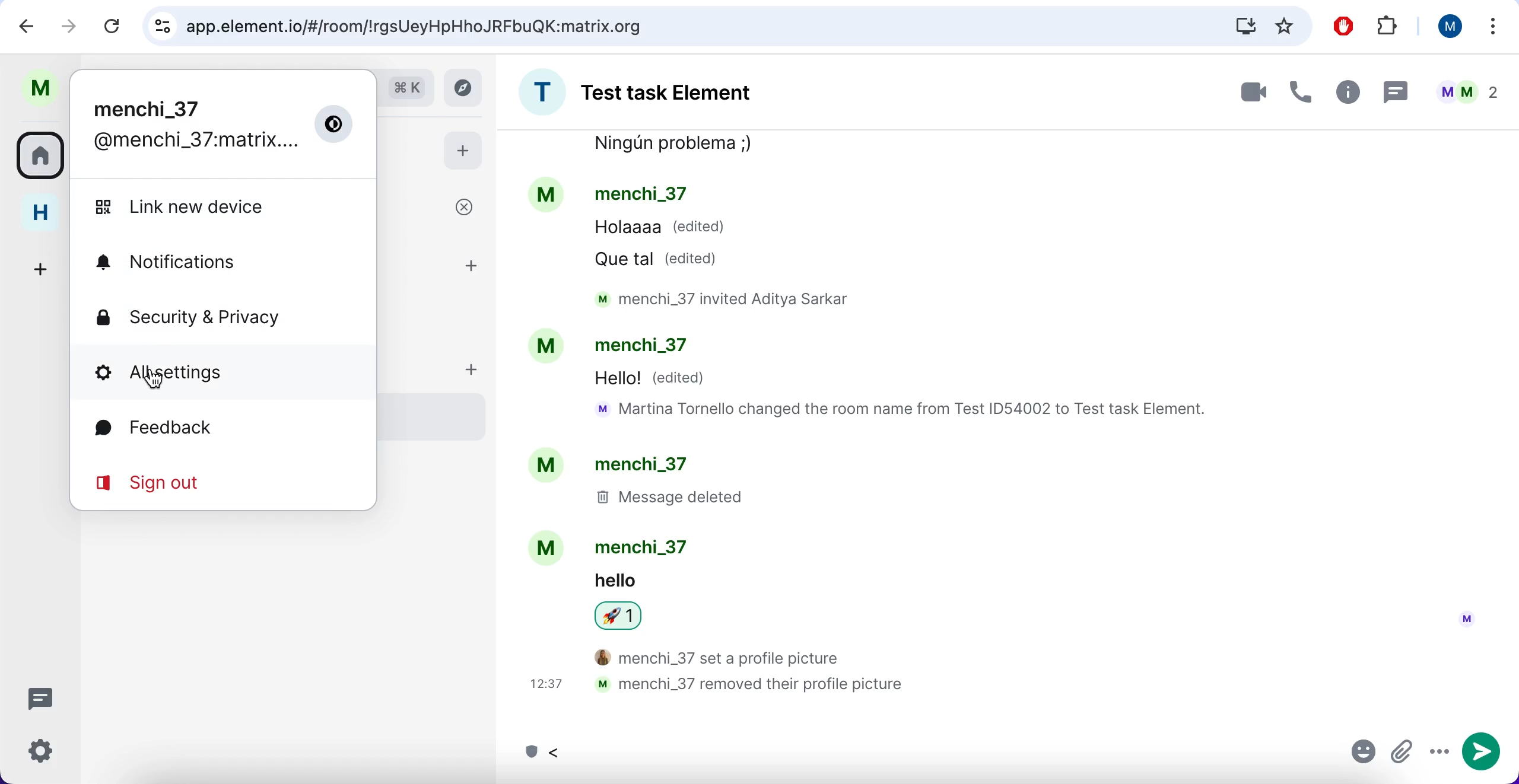 Image resolution: width=1519 pixels, height=784 pixels. What do you see at coordinates (1244, 92) in the screenshot?
I see `video call` at bounding box center [1244, 92].